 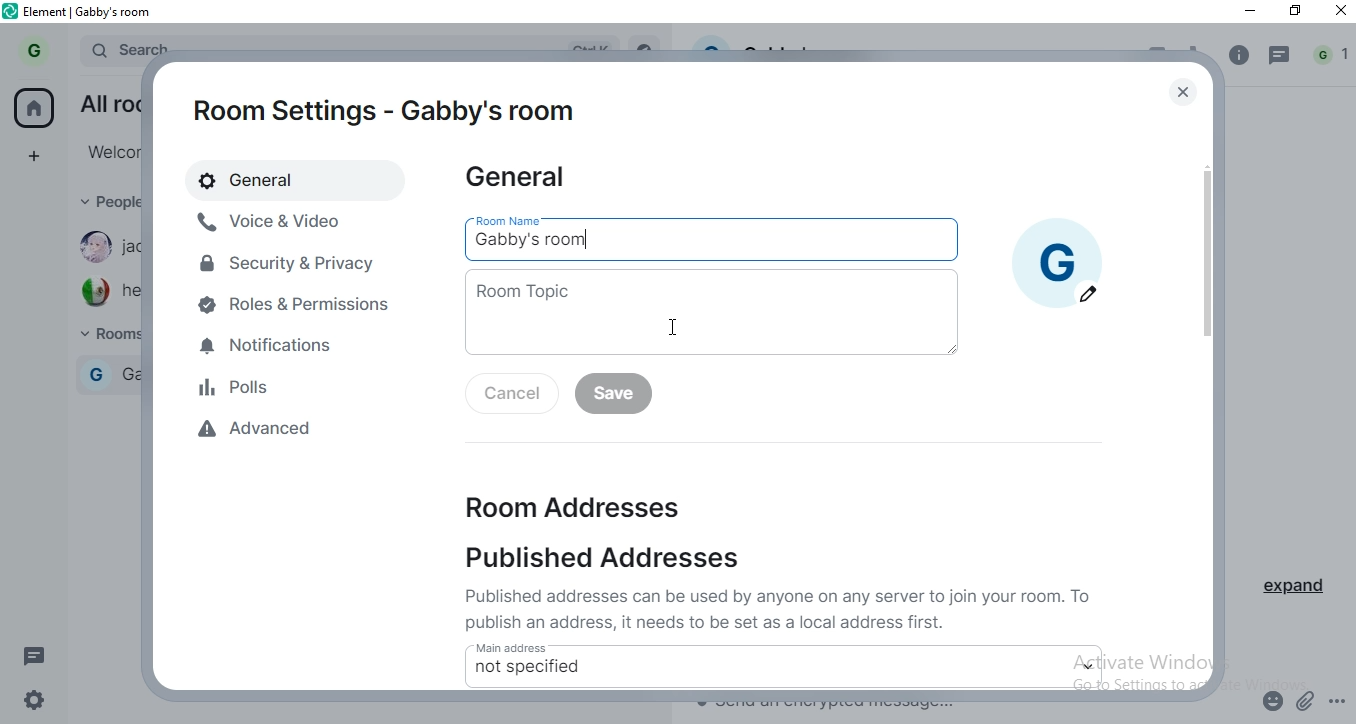 What do you see at coordinates (13, 13) in the screenshot?
I see `element logo` at bounding box center [13, 13].